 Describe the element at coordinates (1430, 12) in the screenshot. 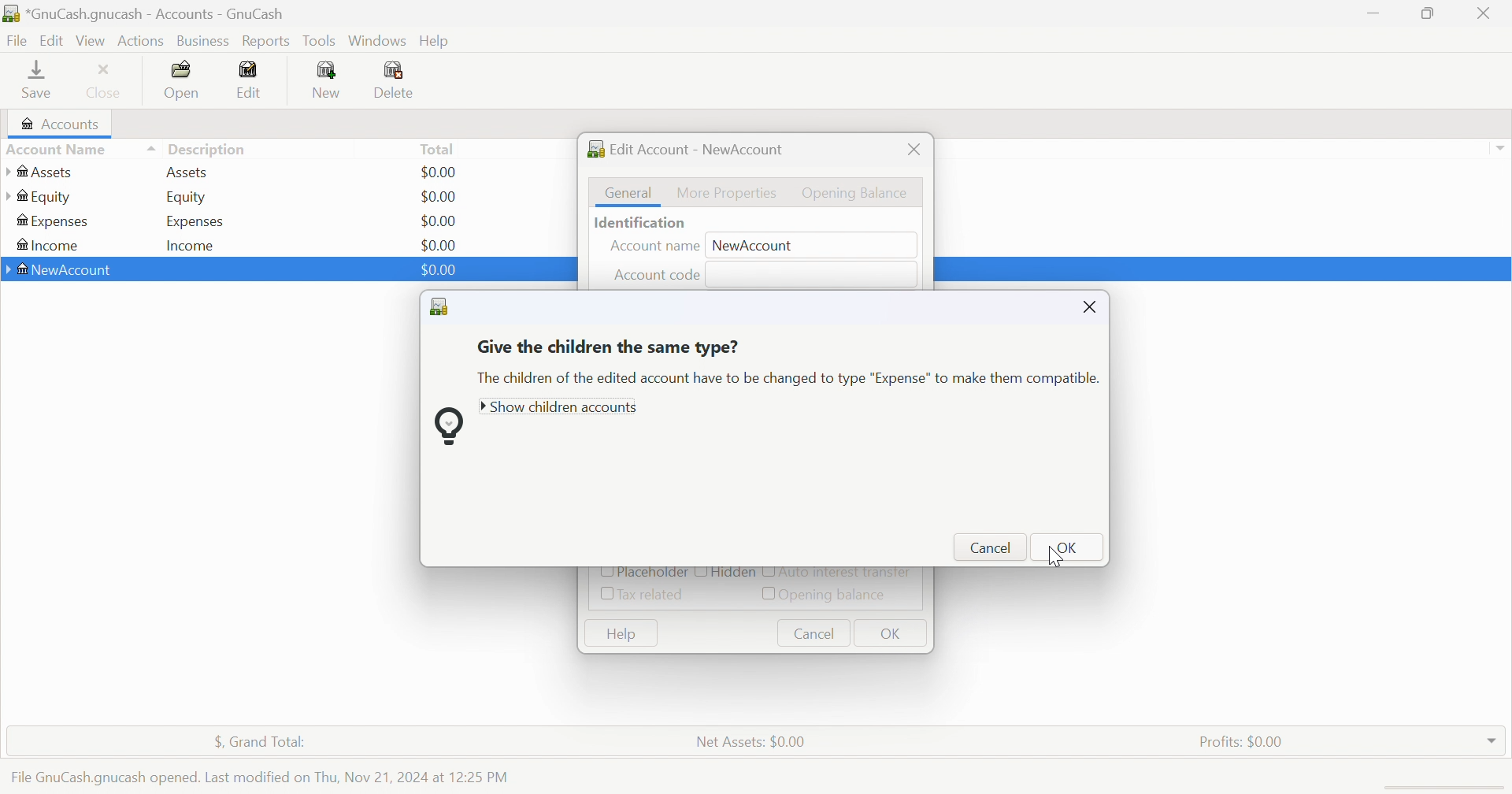

I see `Restore Down` at that location.